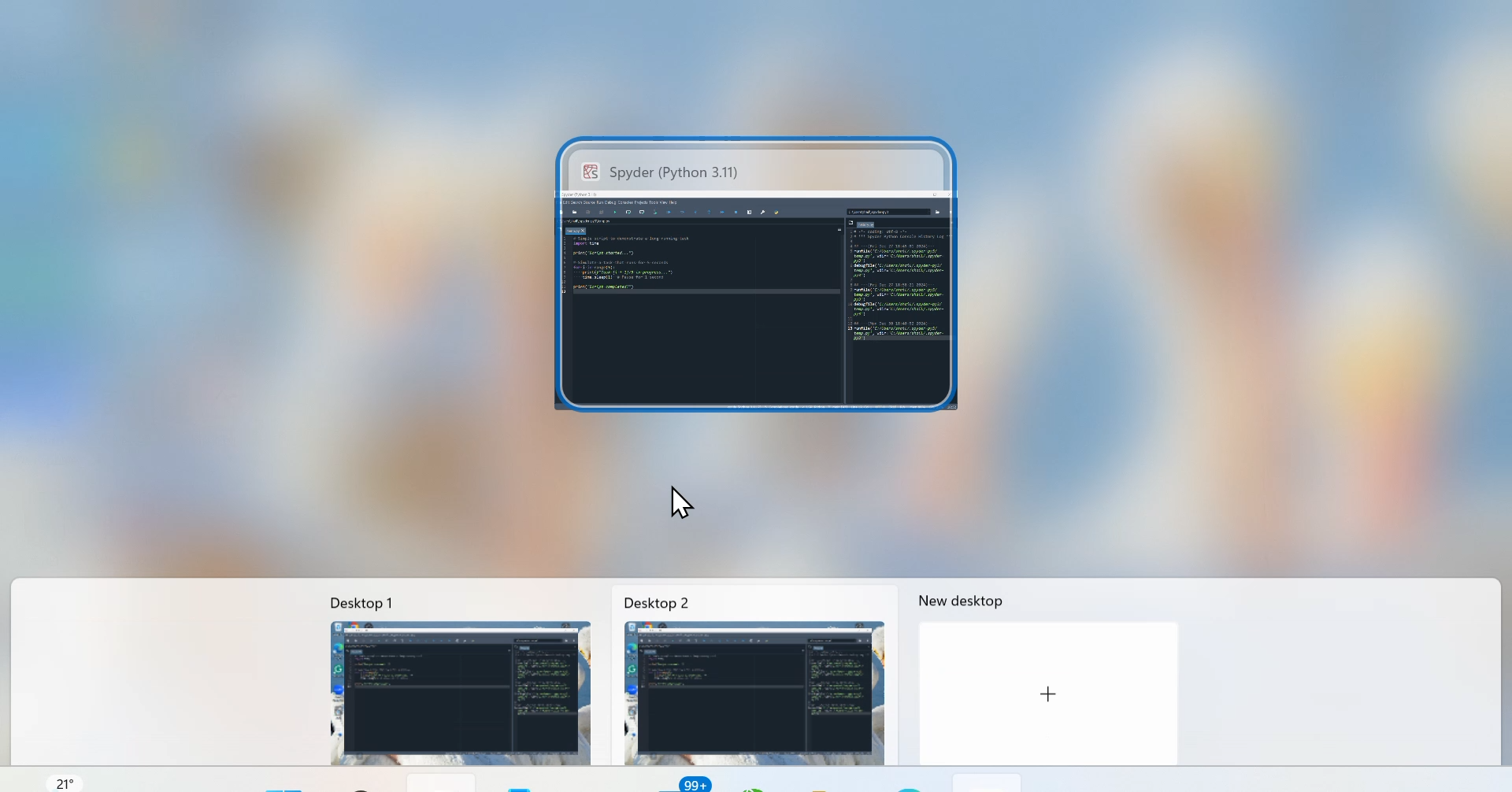 The image size is (1512, 792). What do you see at coordinates (447, 601) in the screenshot?
I see `Desktop 1` at bounding box center [447, 601].